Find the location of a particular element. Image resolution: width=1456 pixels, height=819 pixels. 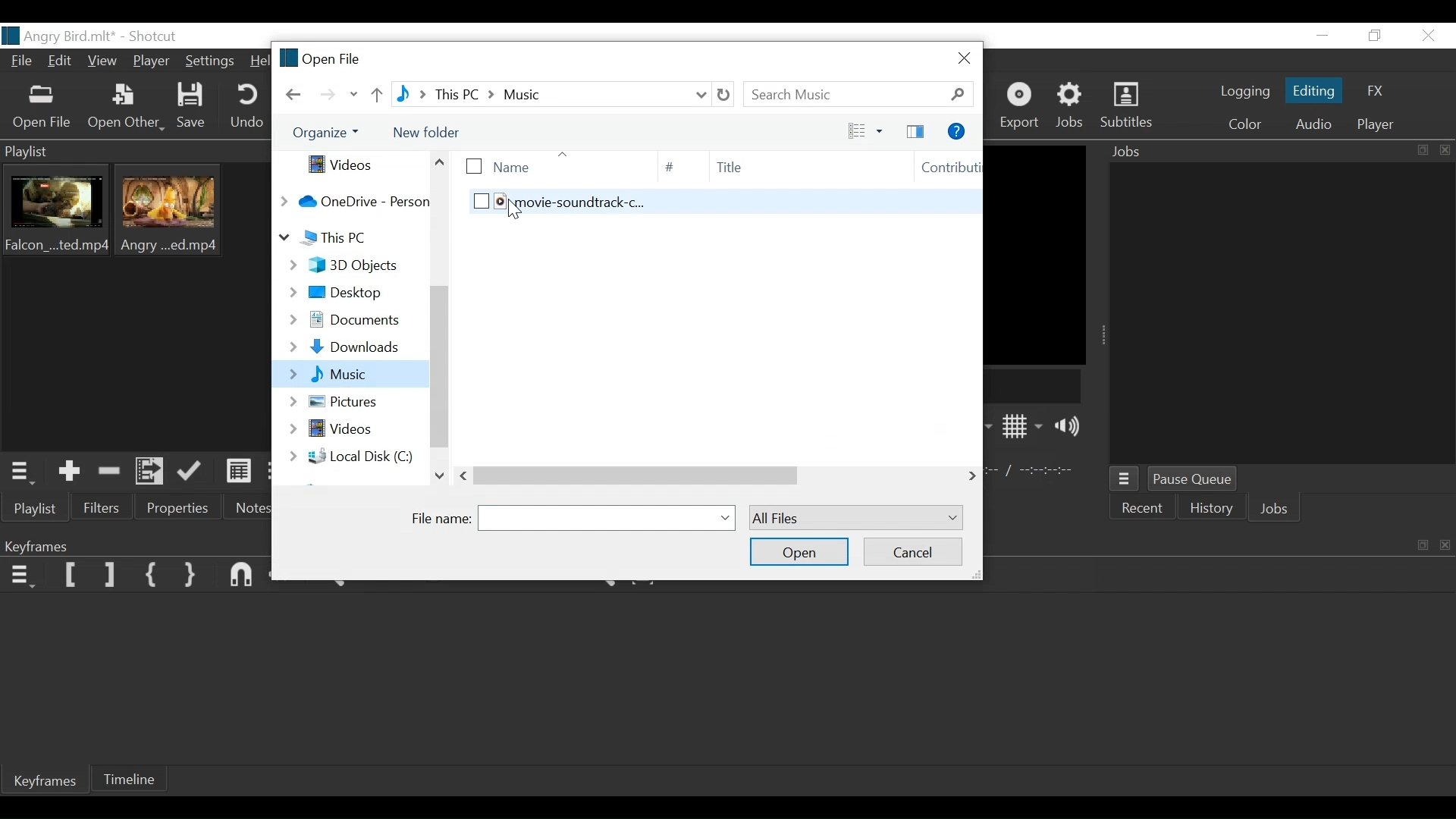

Vertical Scroll bar  is located at coordinates (438, 366).